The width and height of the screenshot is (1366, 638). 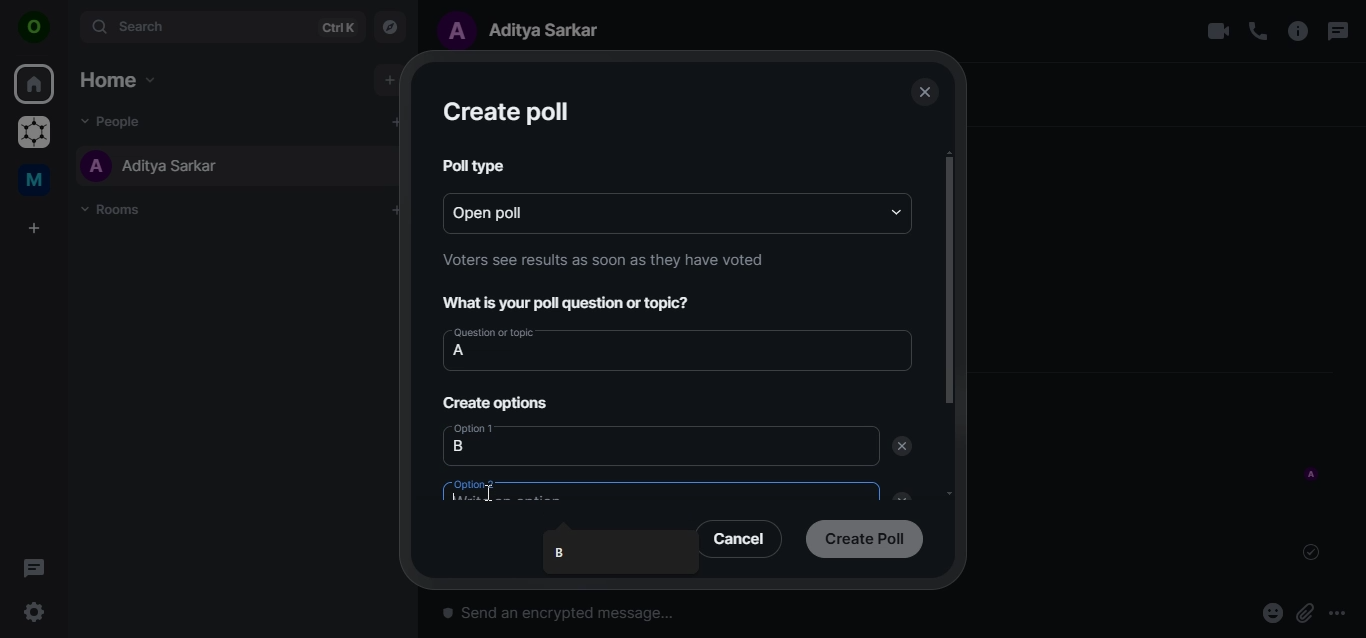 I want to click on delete, so click(x=902, y=447).